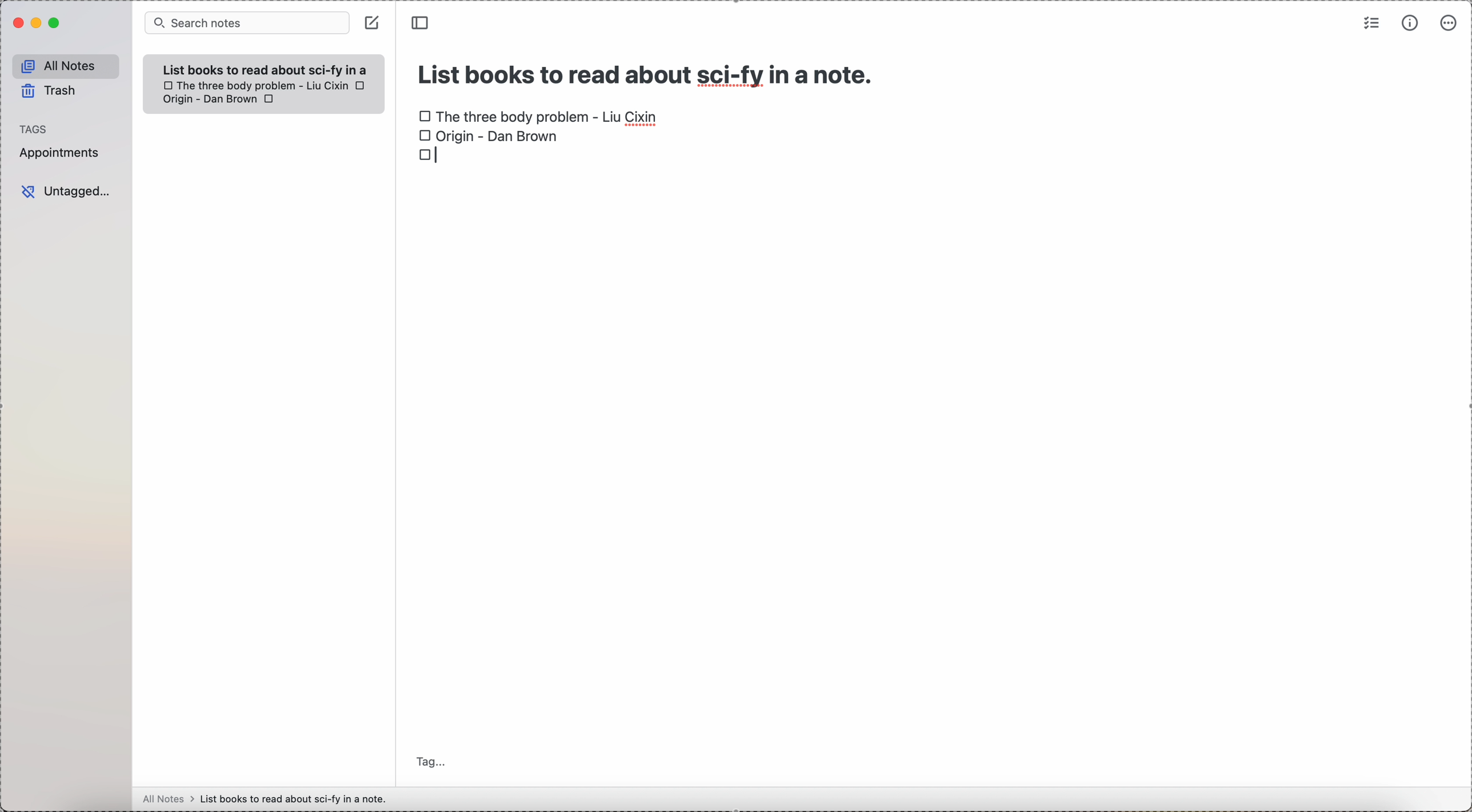  I want to click on title: List books to read about sci-fy in a note., so click(648, 71).